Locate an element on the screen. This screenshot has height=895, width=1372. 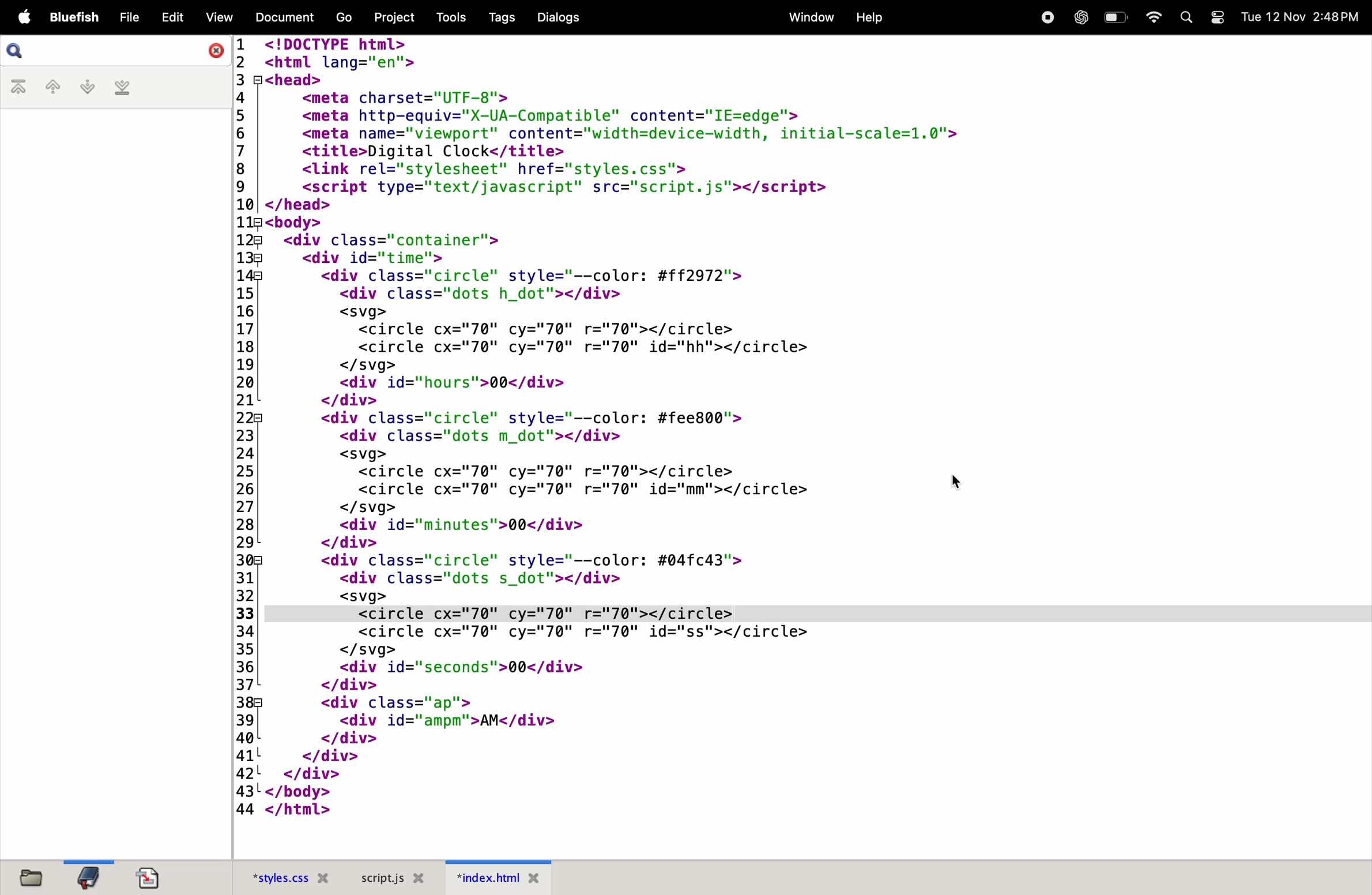
apple menu is located at coordinates (17, 16).